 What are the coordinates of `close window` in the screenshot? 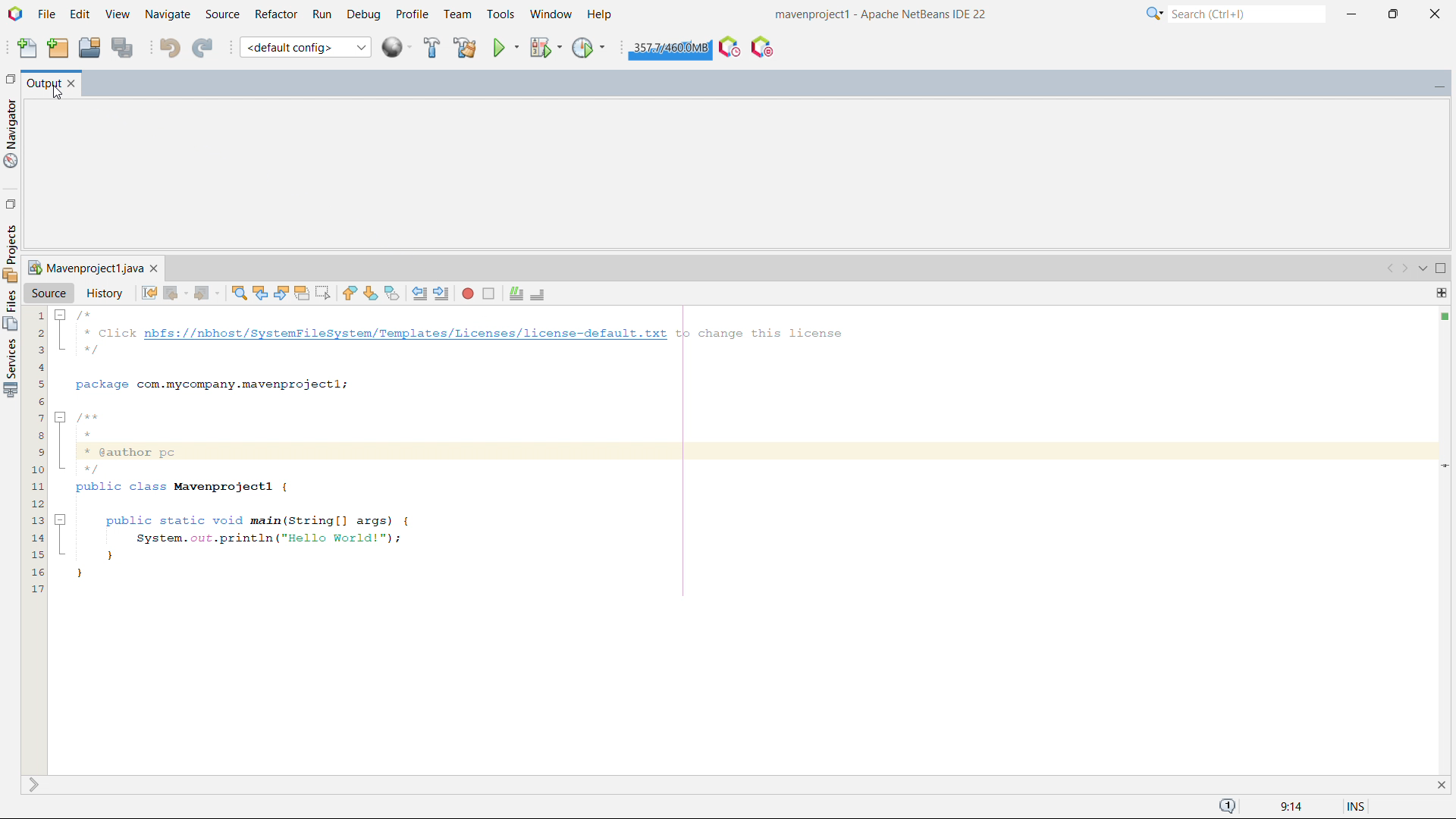 It's located at (154, 268).